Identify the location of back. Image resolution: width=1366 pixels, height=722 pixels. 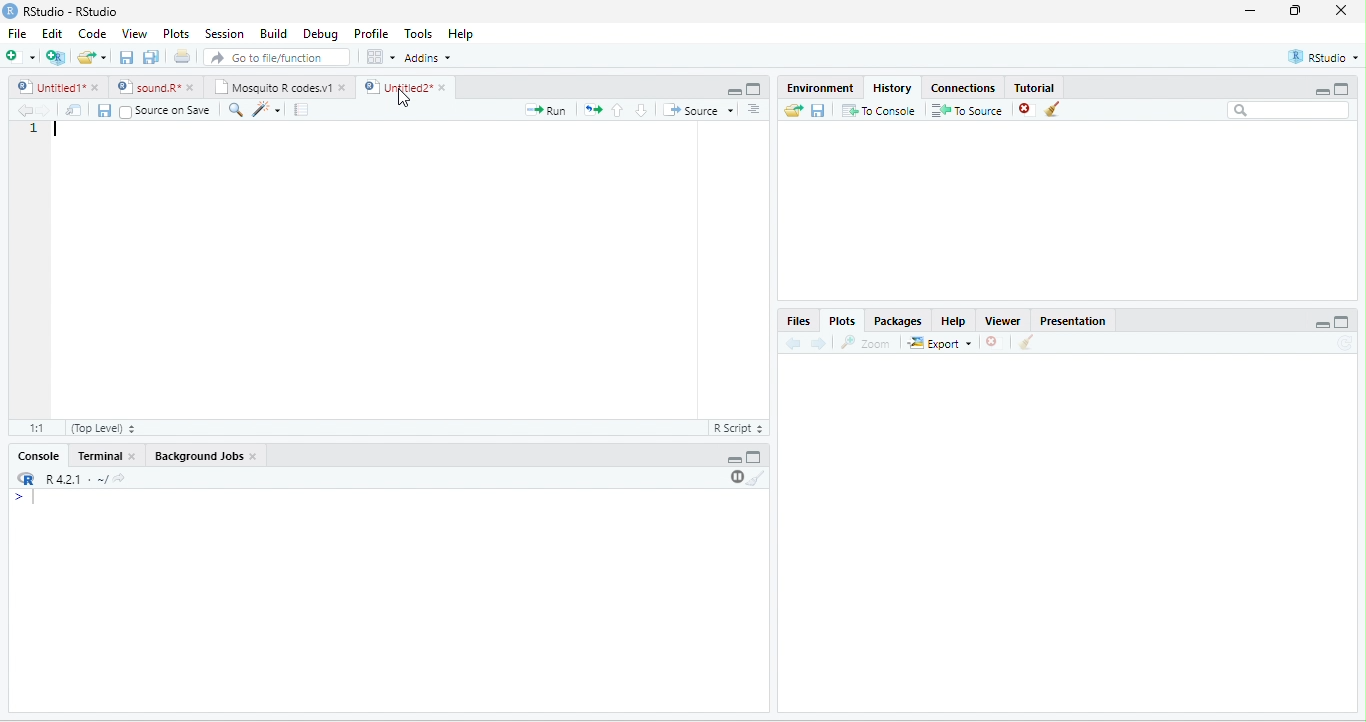
(25, 111).